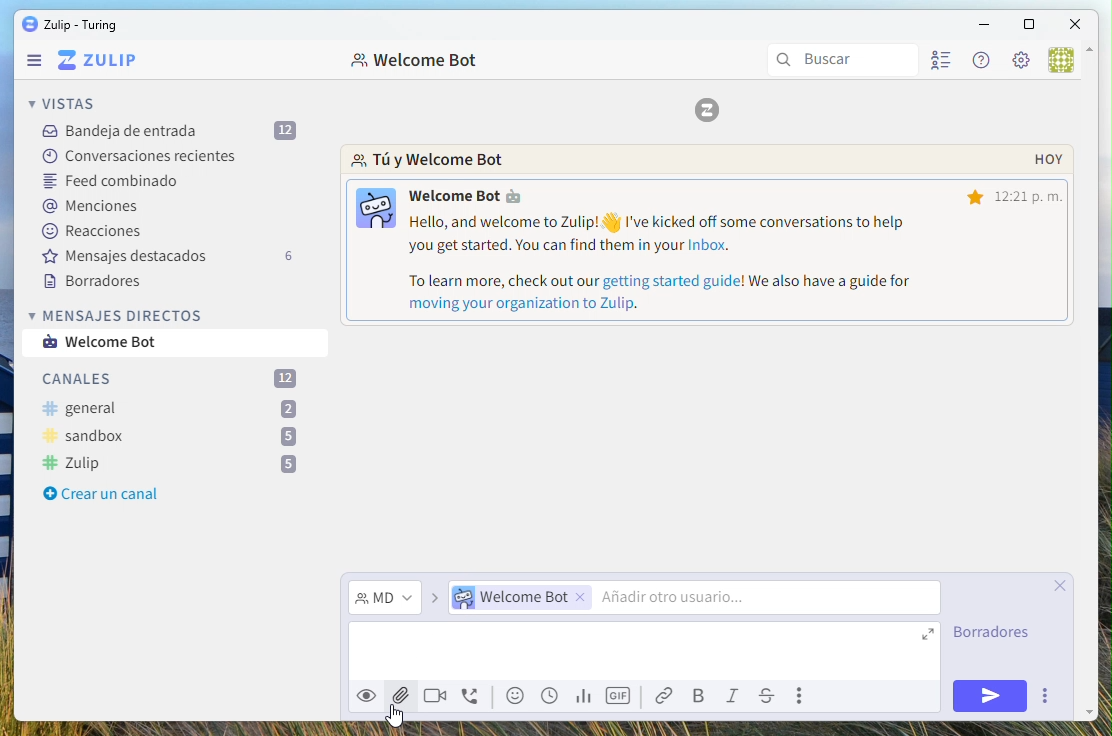 This screenshot has width=1112, height=736. Describe the element at coordinates (97, 495) in the screenshot. I see `Create a channel` at that location.